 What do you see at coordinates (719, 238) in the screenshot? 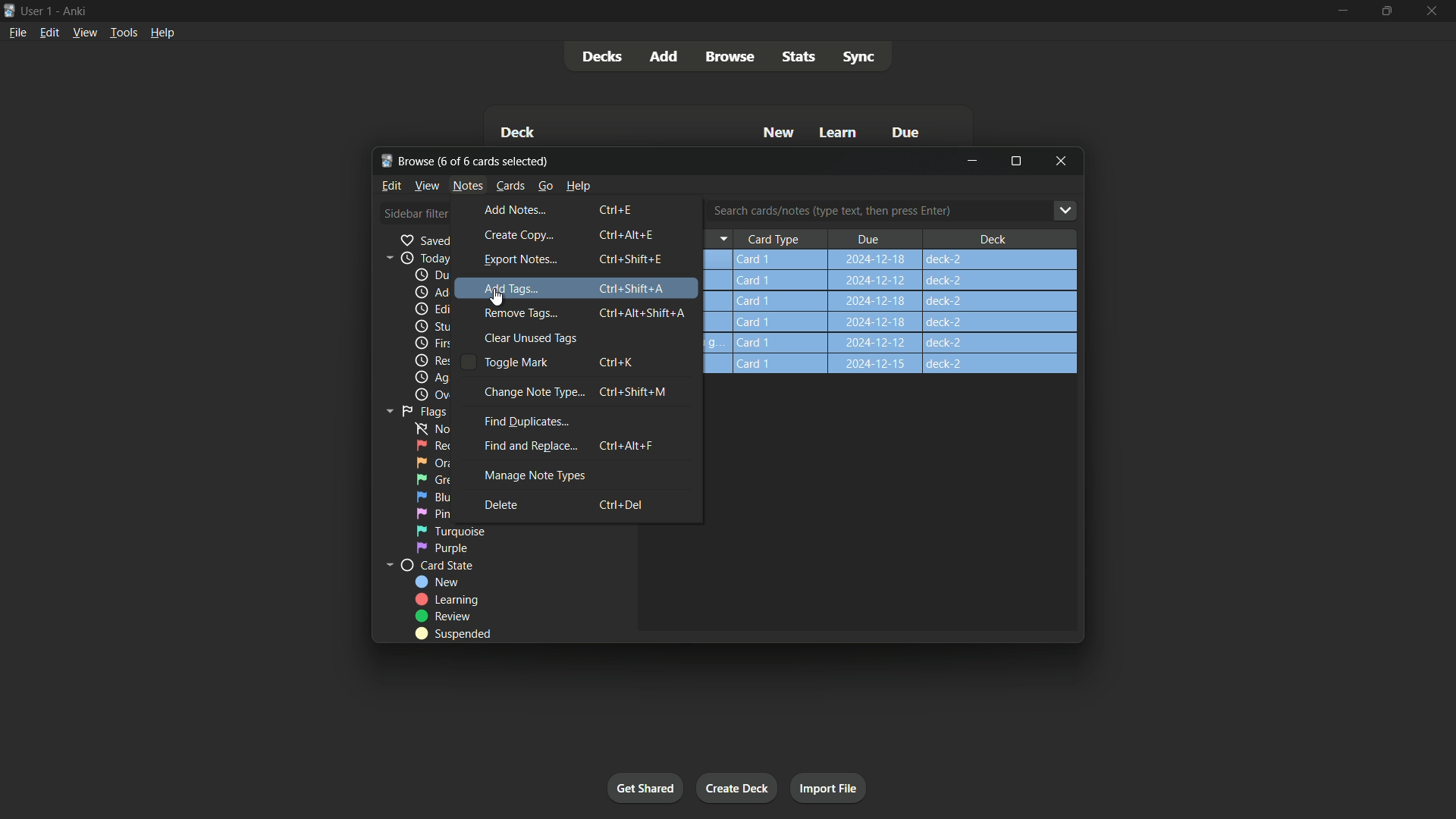
I see `arrow` at bounding box center [719, 238].